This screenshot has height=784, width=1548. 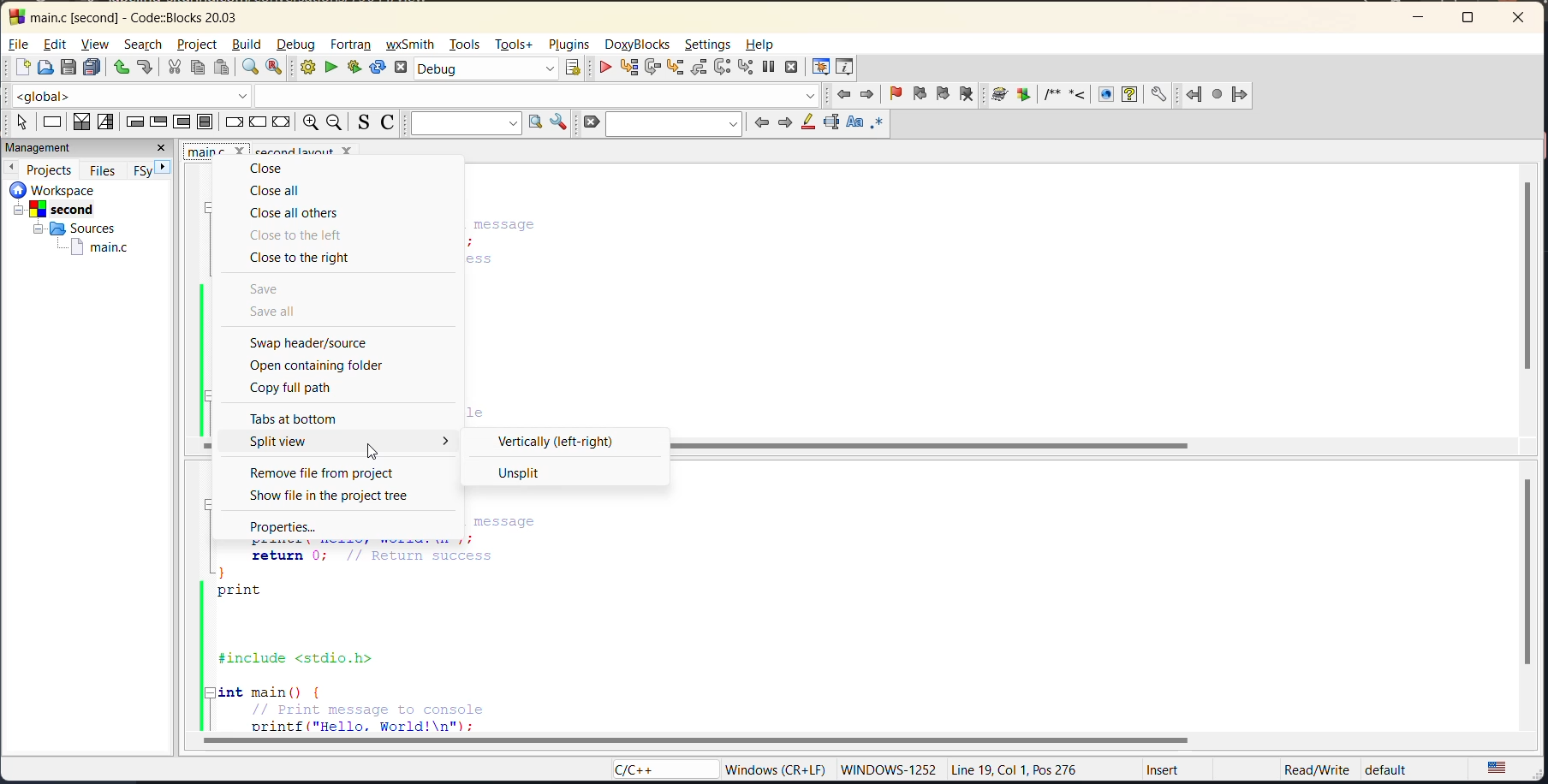 I want to click on FSy, so click(x=142, y=170).